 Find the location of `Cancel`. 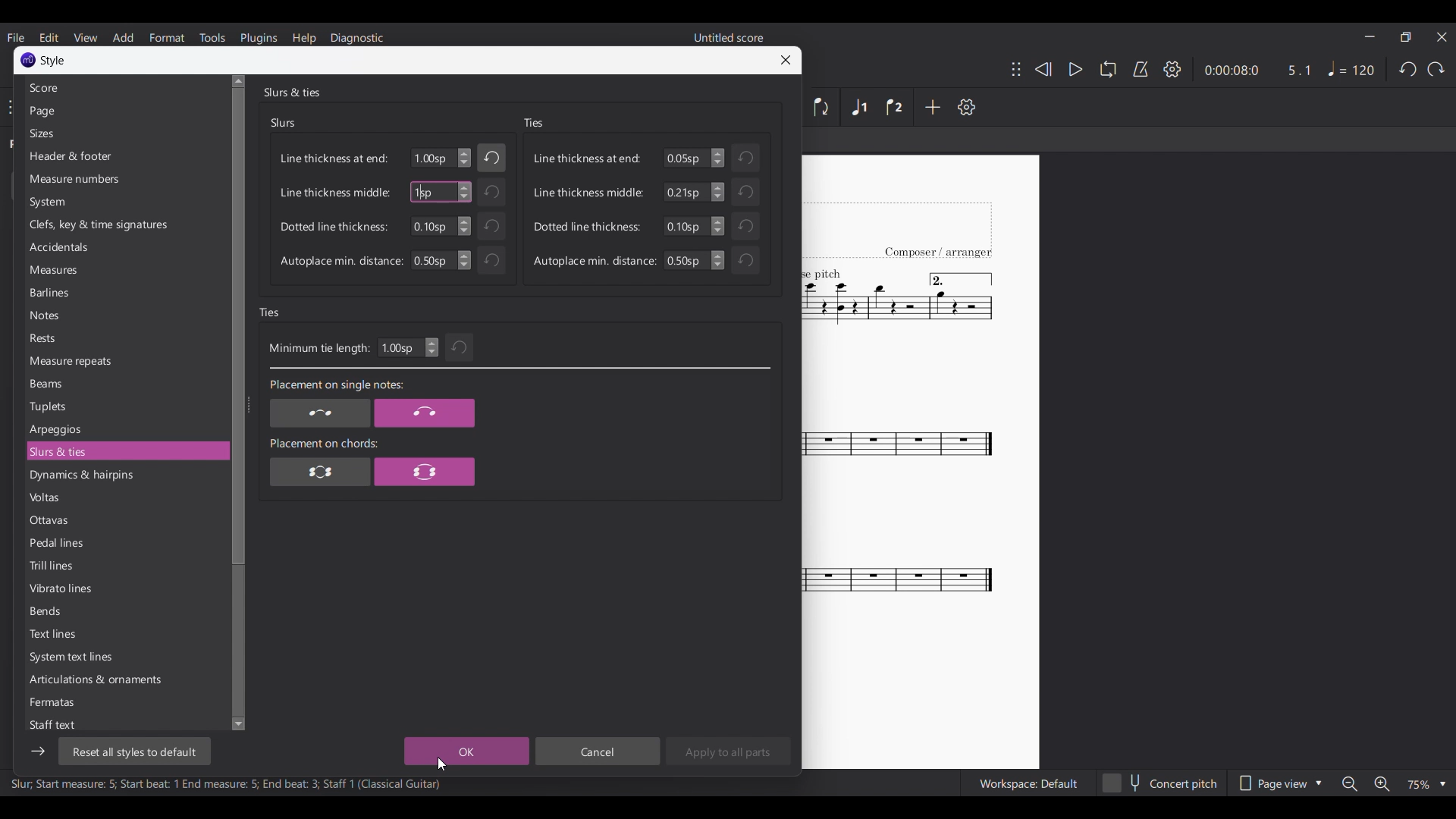

Cancel is located at coordinates (597, 751).